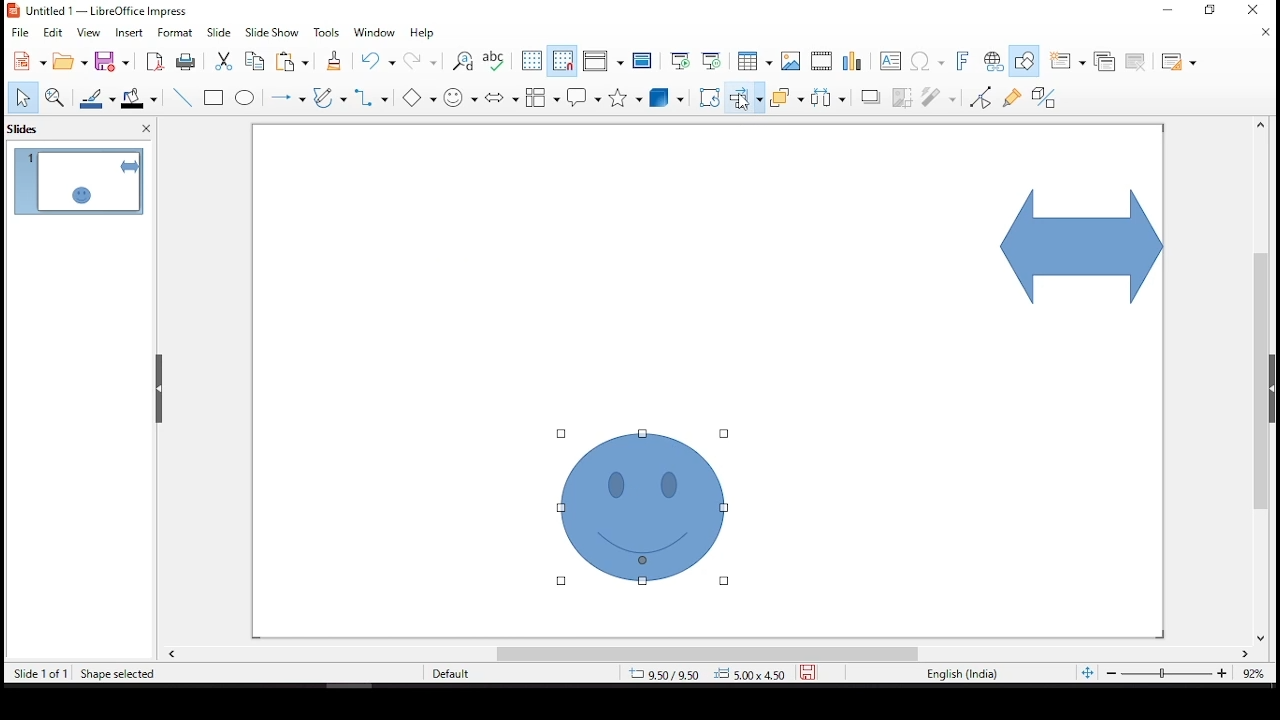  I want to click on slide show, so click(275, 33).